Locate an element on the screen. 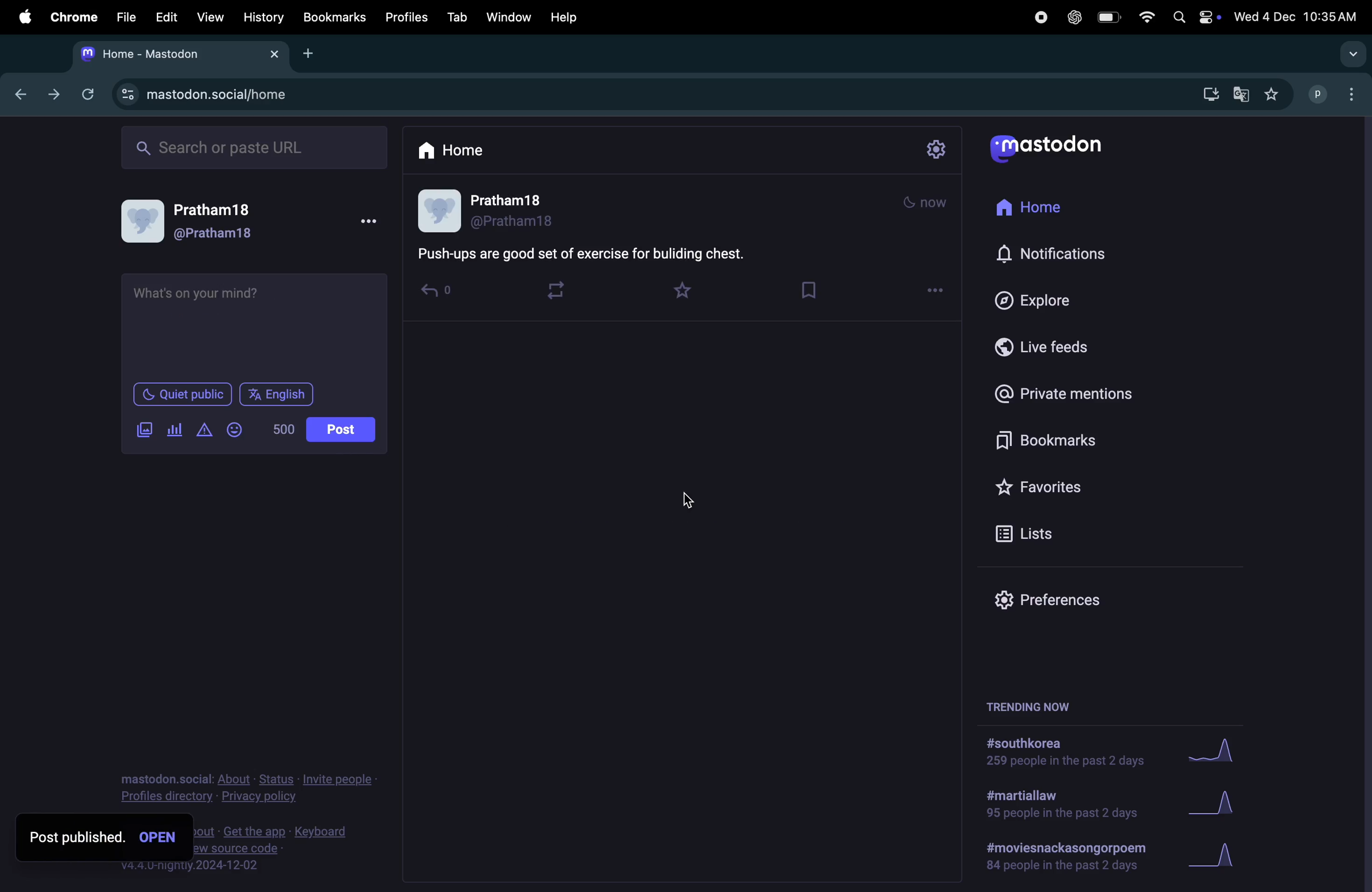 Image resolution: width=1372 pixels, height=892 pixels. Quiet public is located at coordinates (184, 396).